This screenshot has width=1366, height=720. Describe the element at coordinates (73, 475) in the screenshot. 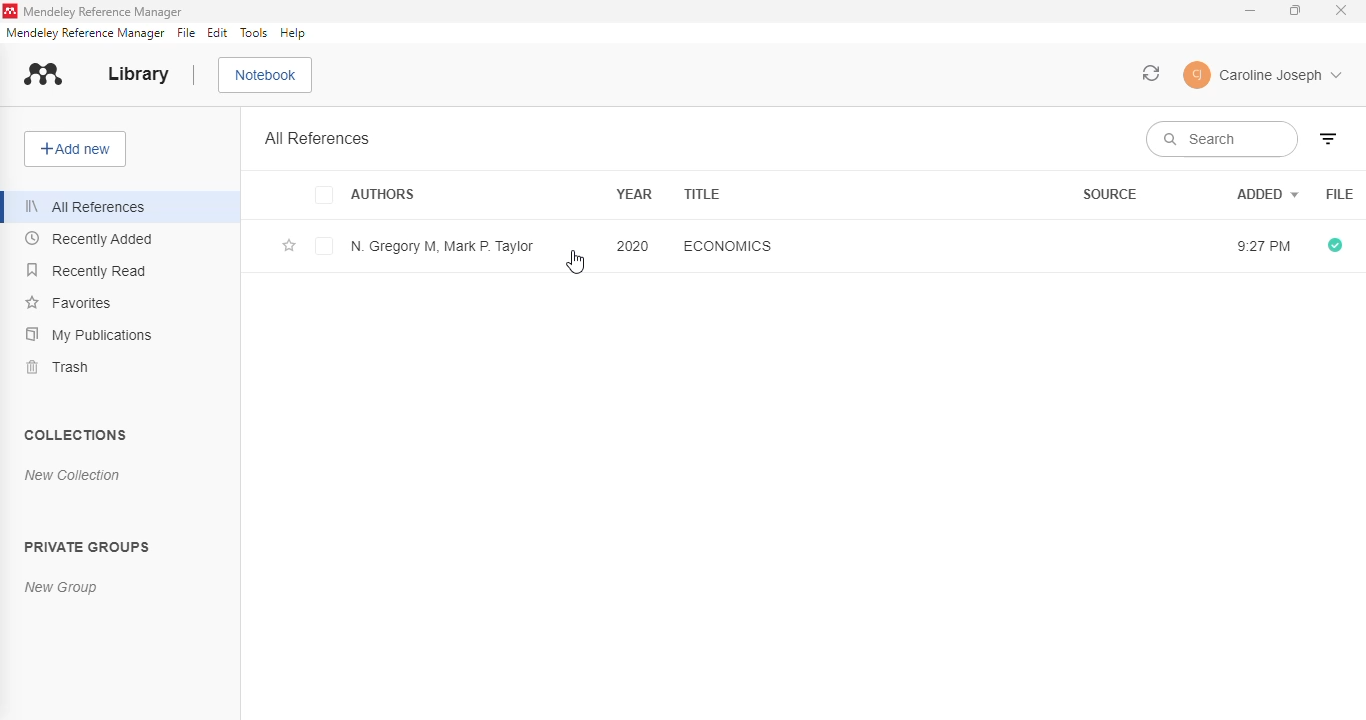

I see `new collection` at that location.